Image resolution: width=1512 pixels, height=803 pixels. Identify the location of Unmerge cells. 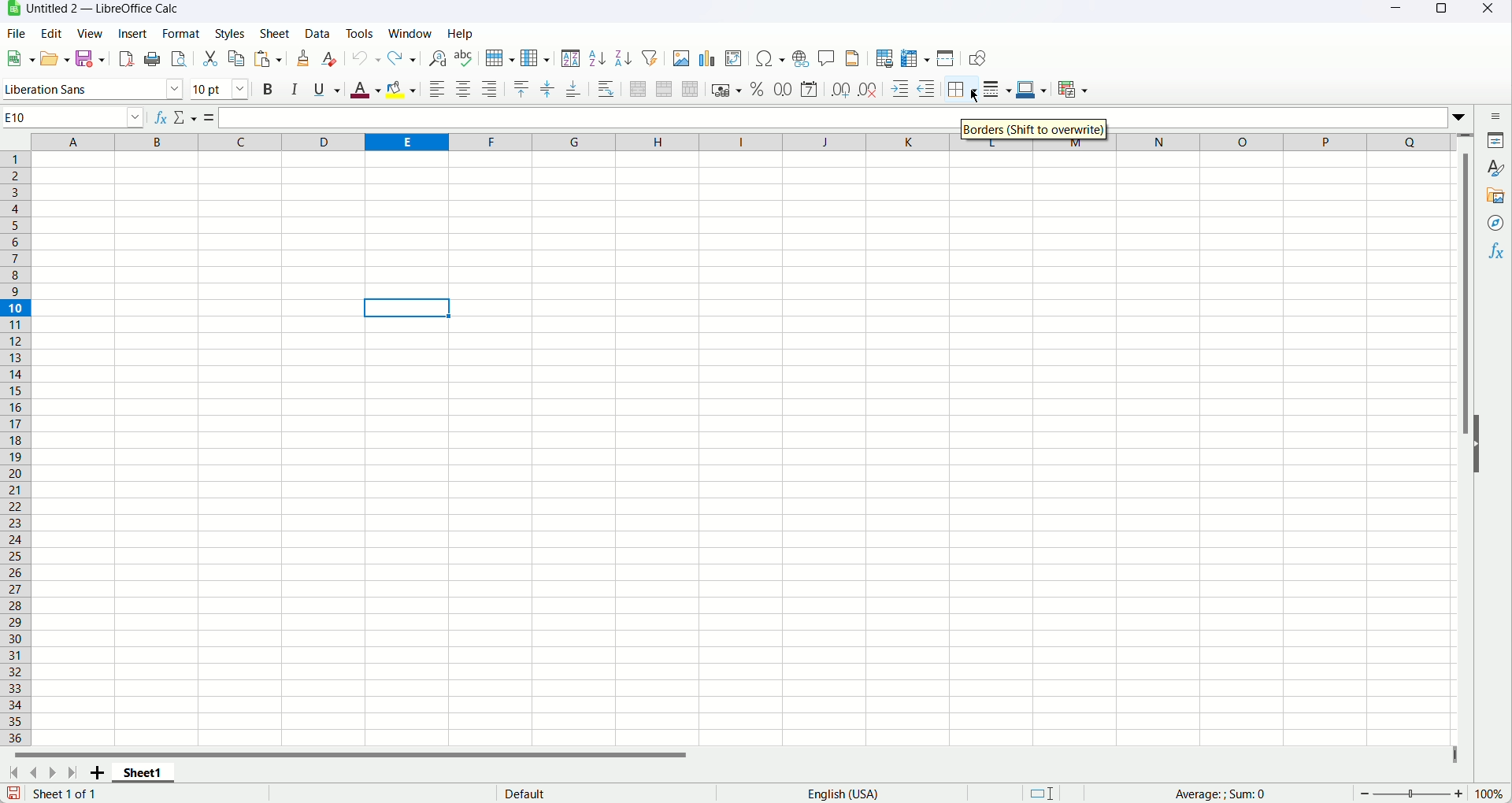
(691, 89).